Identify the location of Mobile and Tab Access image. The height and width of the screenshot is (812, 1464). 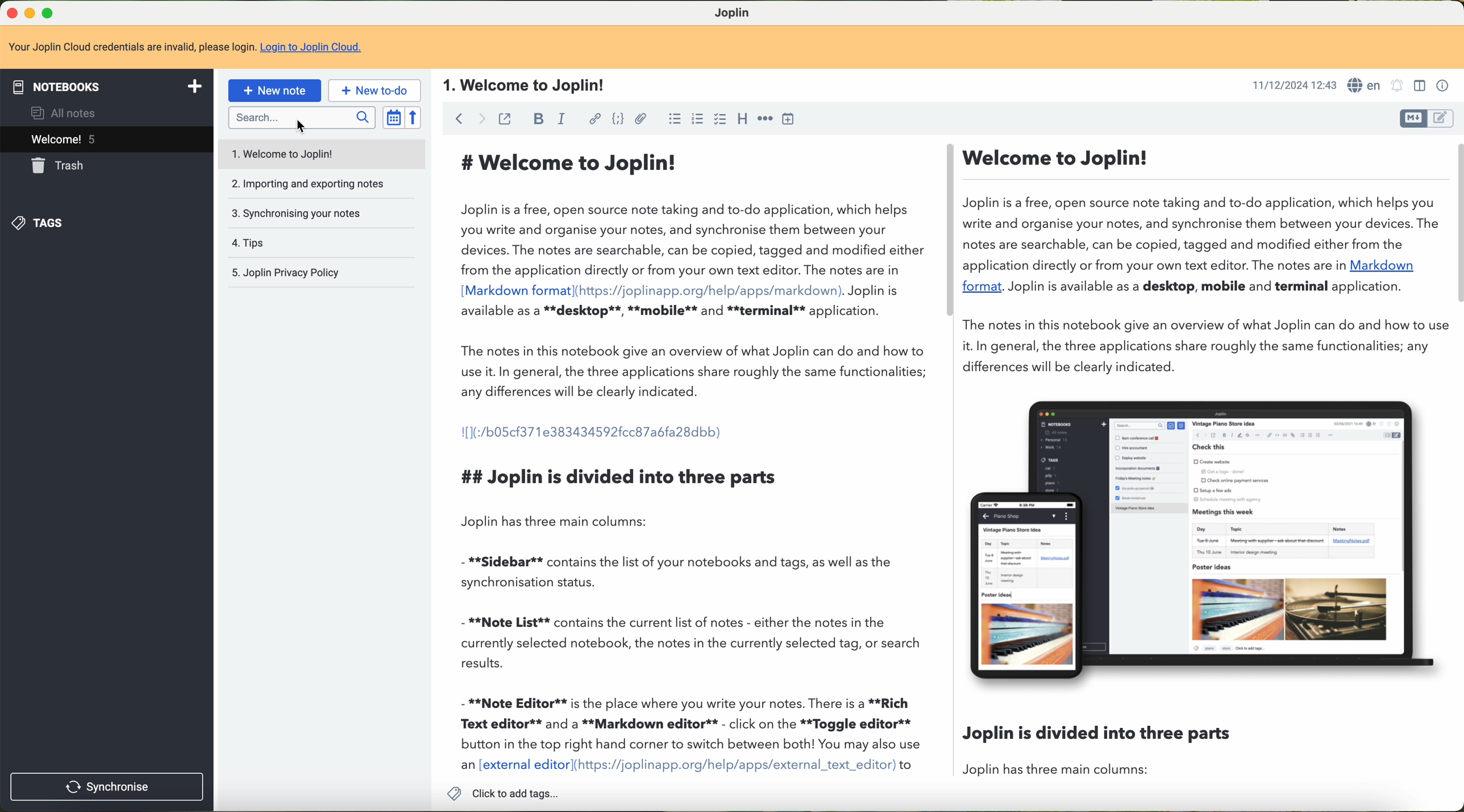
(1212, 544).